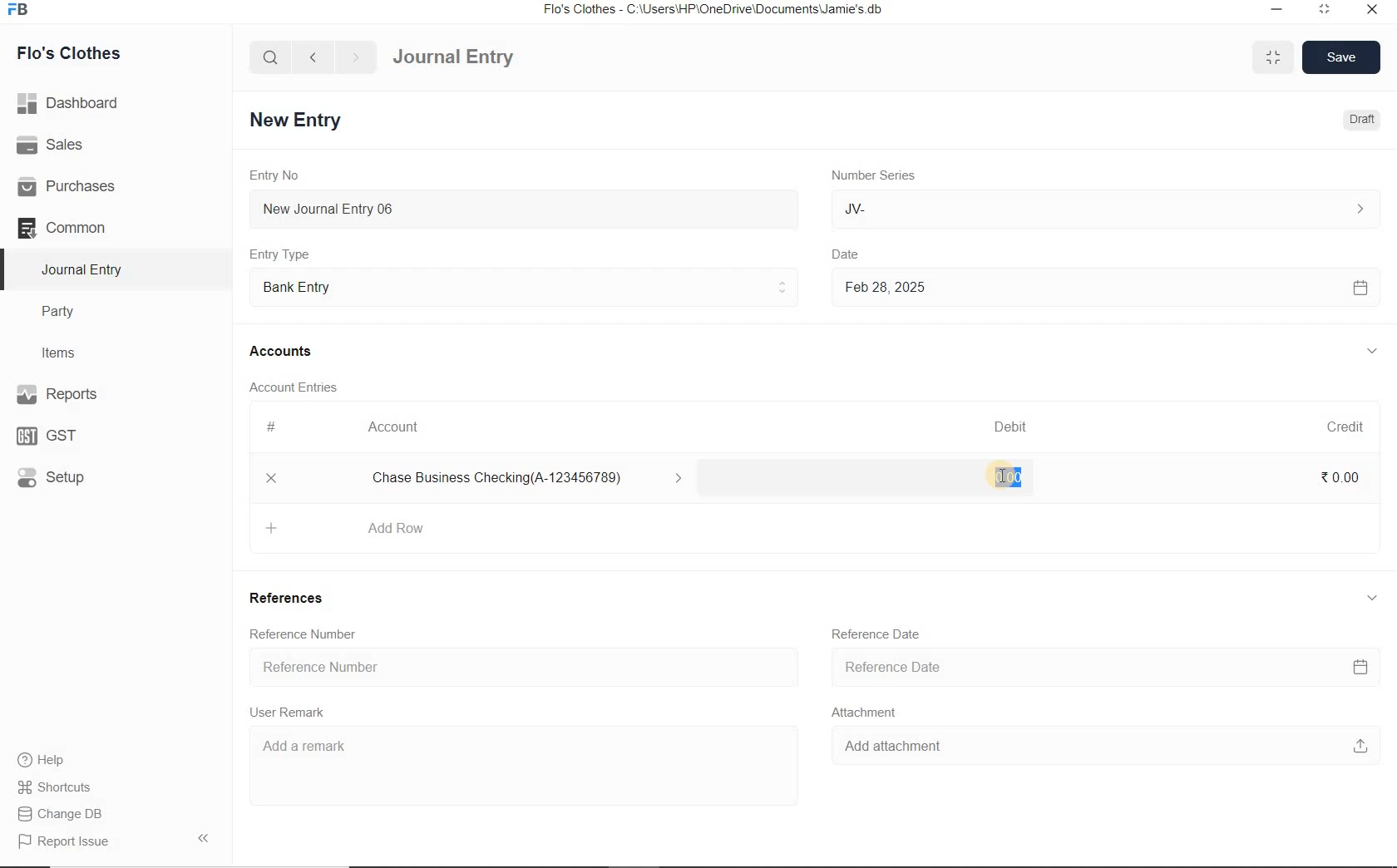 This screenshot has width=1397, height=868. Describe the element at coordinates (361, 526) in the screenshot. I see `Add Row` at that location.